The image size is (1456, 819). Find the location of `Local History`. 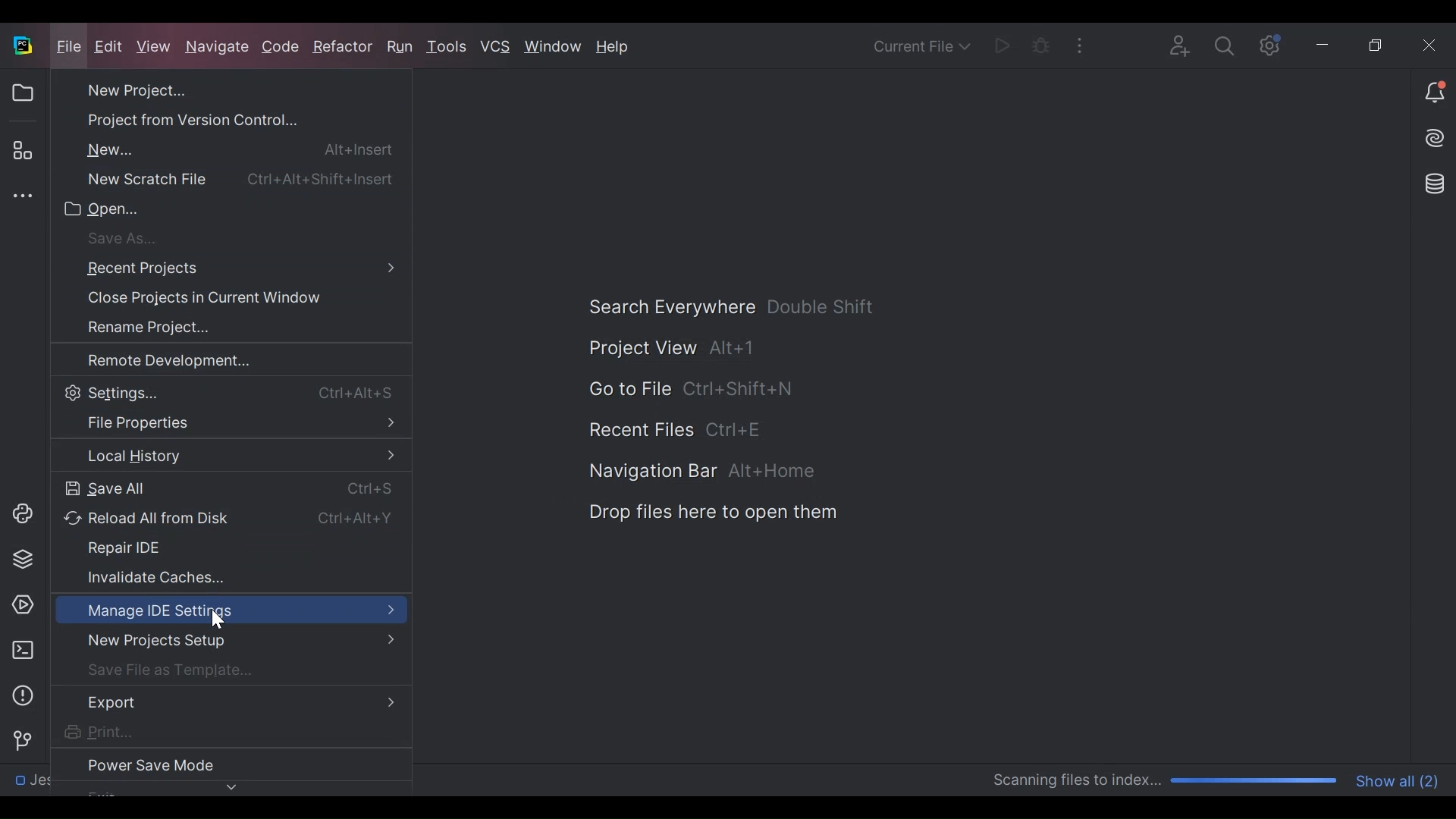

Local History is located at coordinates (228, 455).